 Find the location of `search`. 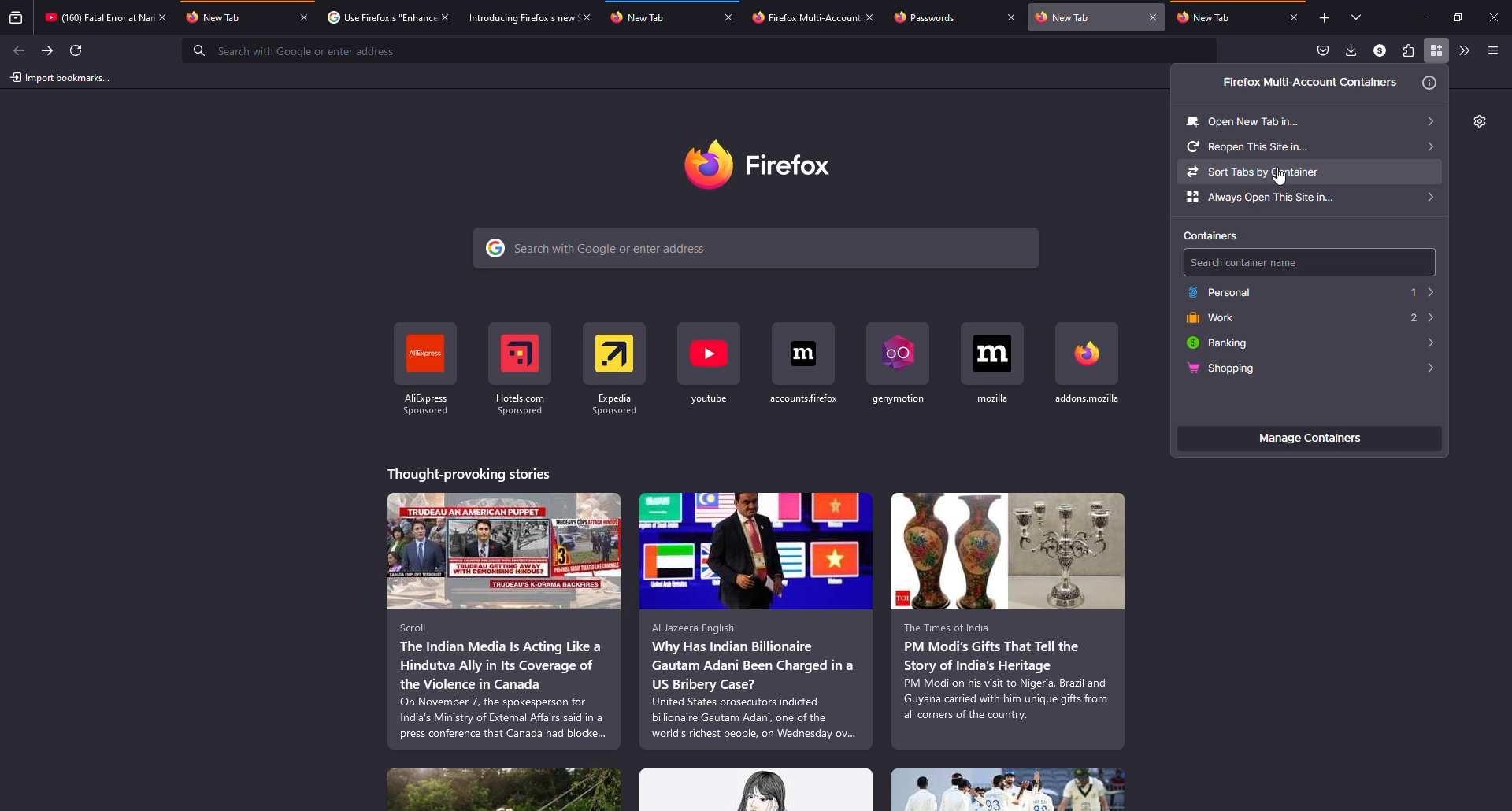

search is located at coordinates (1310, 262).